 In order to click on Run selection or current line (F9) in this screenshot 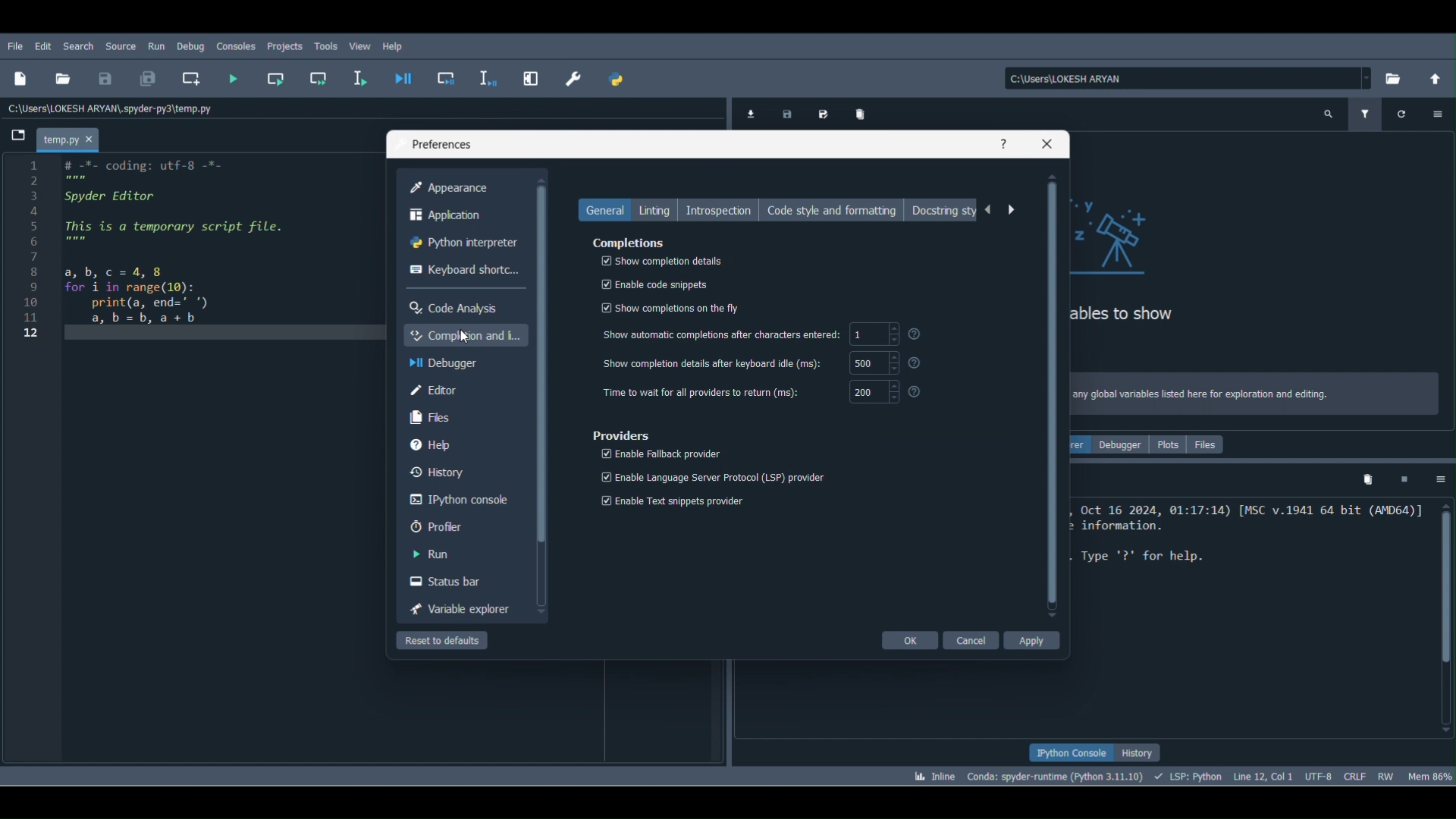, I will do `click(366, 78)`.